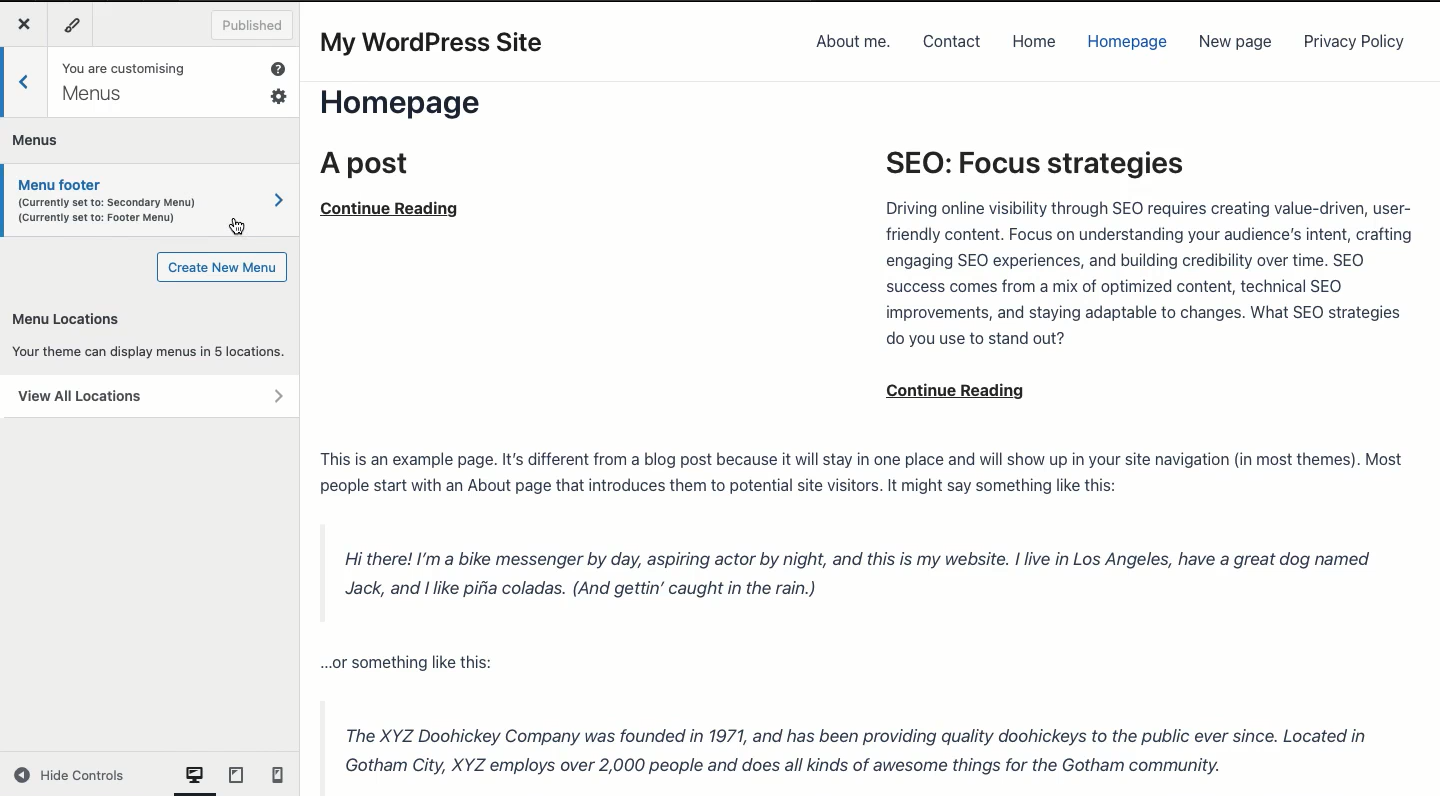 This screenshot has width=1440, height=796. What do you see at coordinates (273, 777) in the screenshot?
I see `mobile View` at bounding box center [273, 777].